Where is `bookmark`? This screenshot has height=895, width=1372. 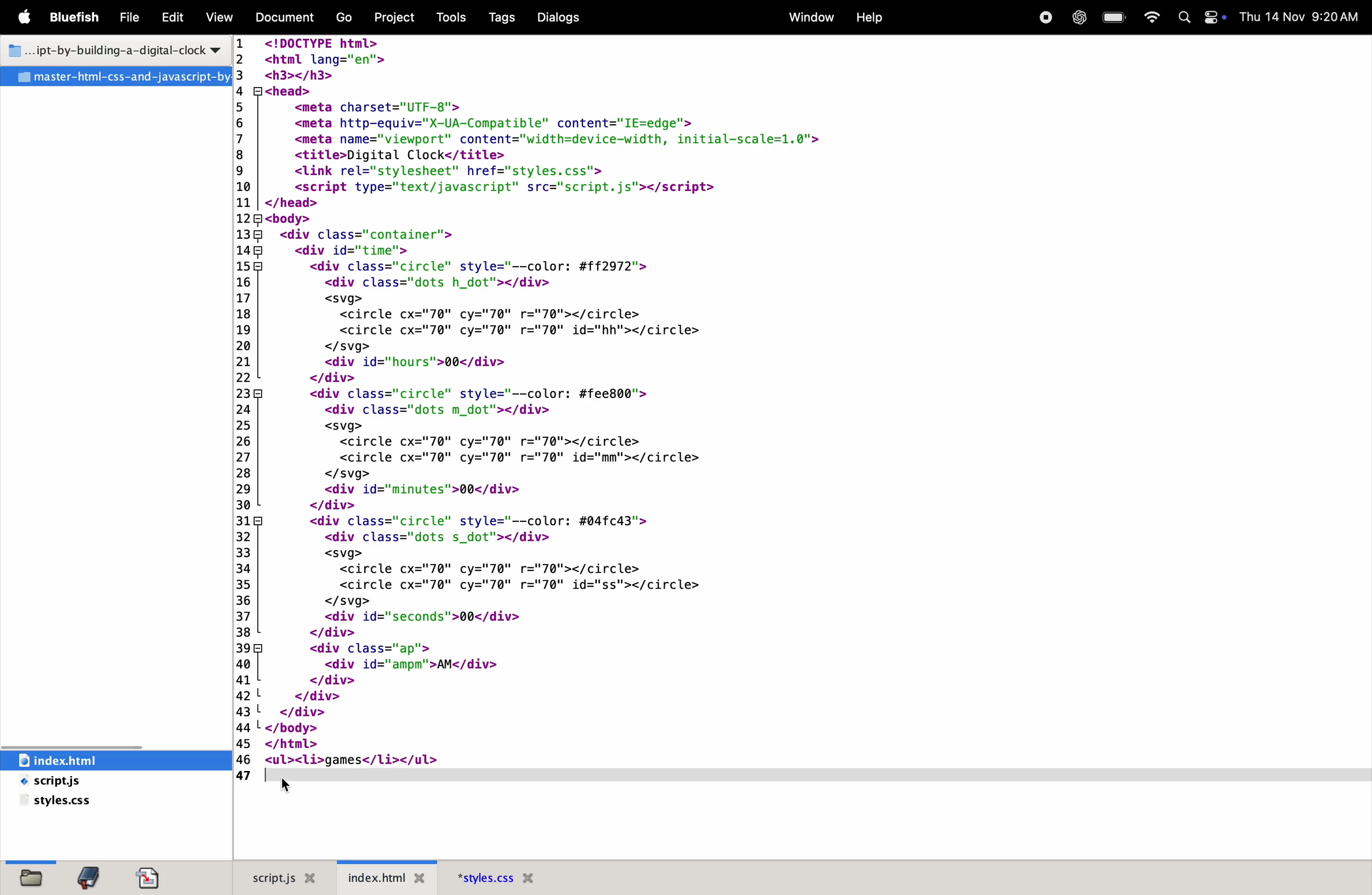 bookmark is located at coordinates (93, 877).